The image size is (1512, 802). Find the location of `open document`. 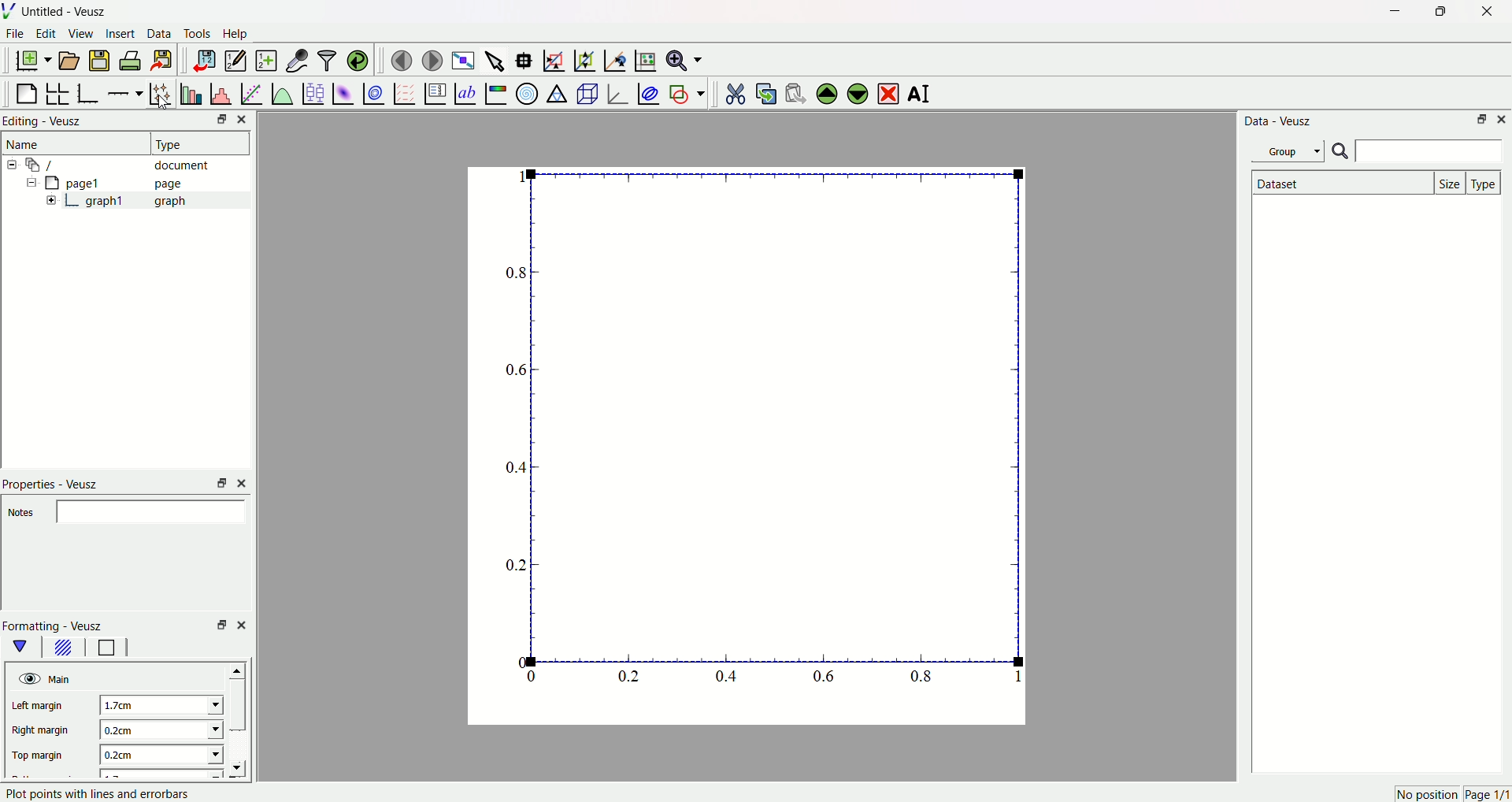

open document is located at coordinates (70, 60).